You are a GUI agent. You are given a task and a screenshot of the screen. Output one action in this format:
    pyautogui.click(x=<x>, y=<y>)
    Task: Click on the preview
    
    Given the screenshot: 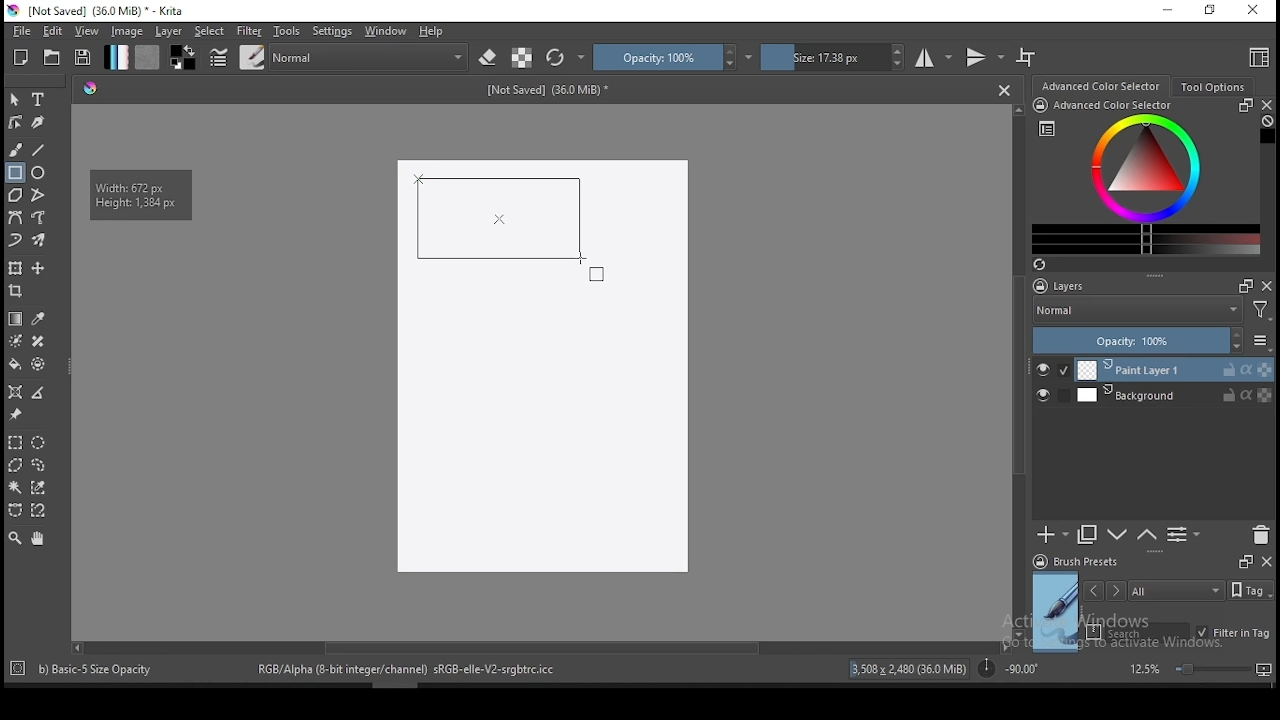 What is the action you would take?
    pyautogui.click(x=1056, y=612)
    